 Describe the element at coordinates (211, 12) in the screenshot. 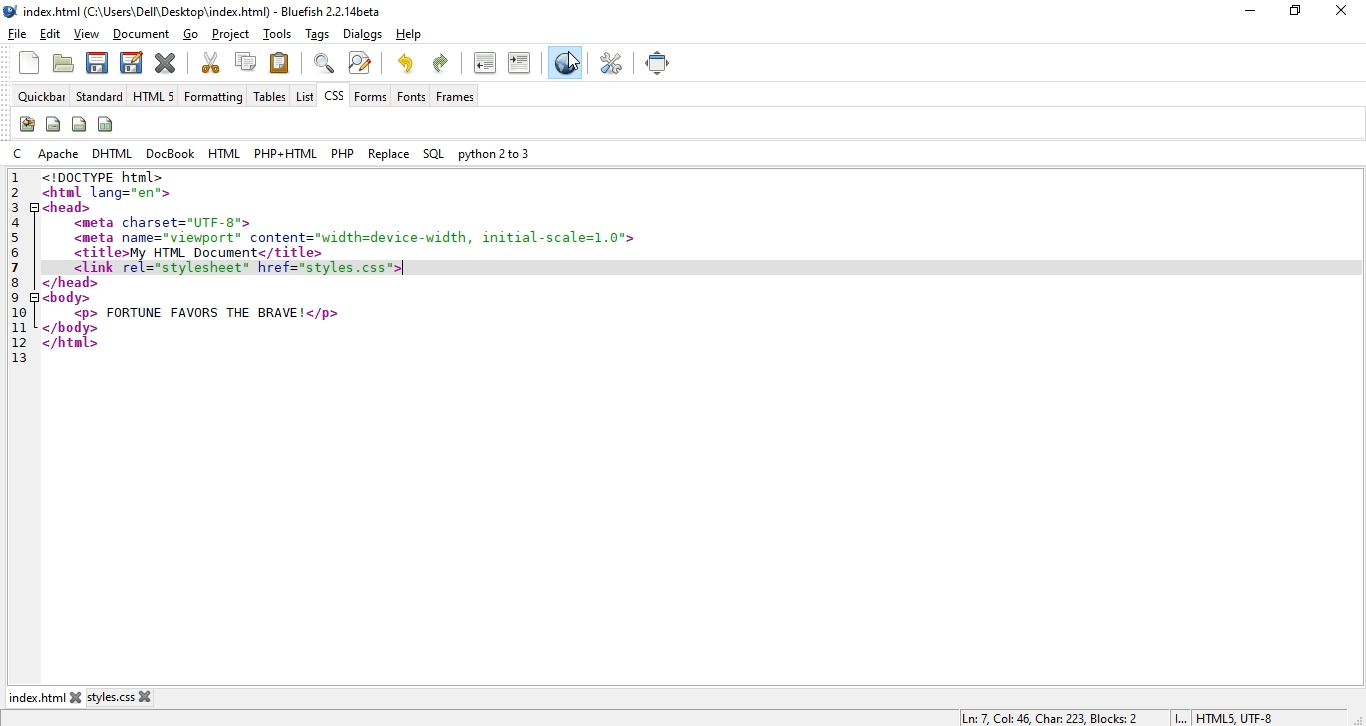

I see `* index.html (C:\Users\Dell\Desktop\index.html) - Bluefish 2.2. 14beta` at that location.